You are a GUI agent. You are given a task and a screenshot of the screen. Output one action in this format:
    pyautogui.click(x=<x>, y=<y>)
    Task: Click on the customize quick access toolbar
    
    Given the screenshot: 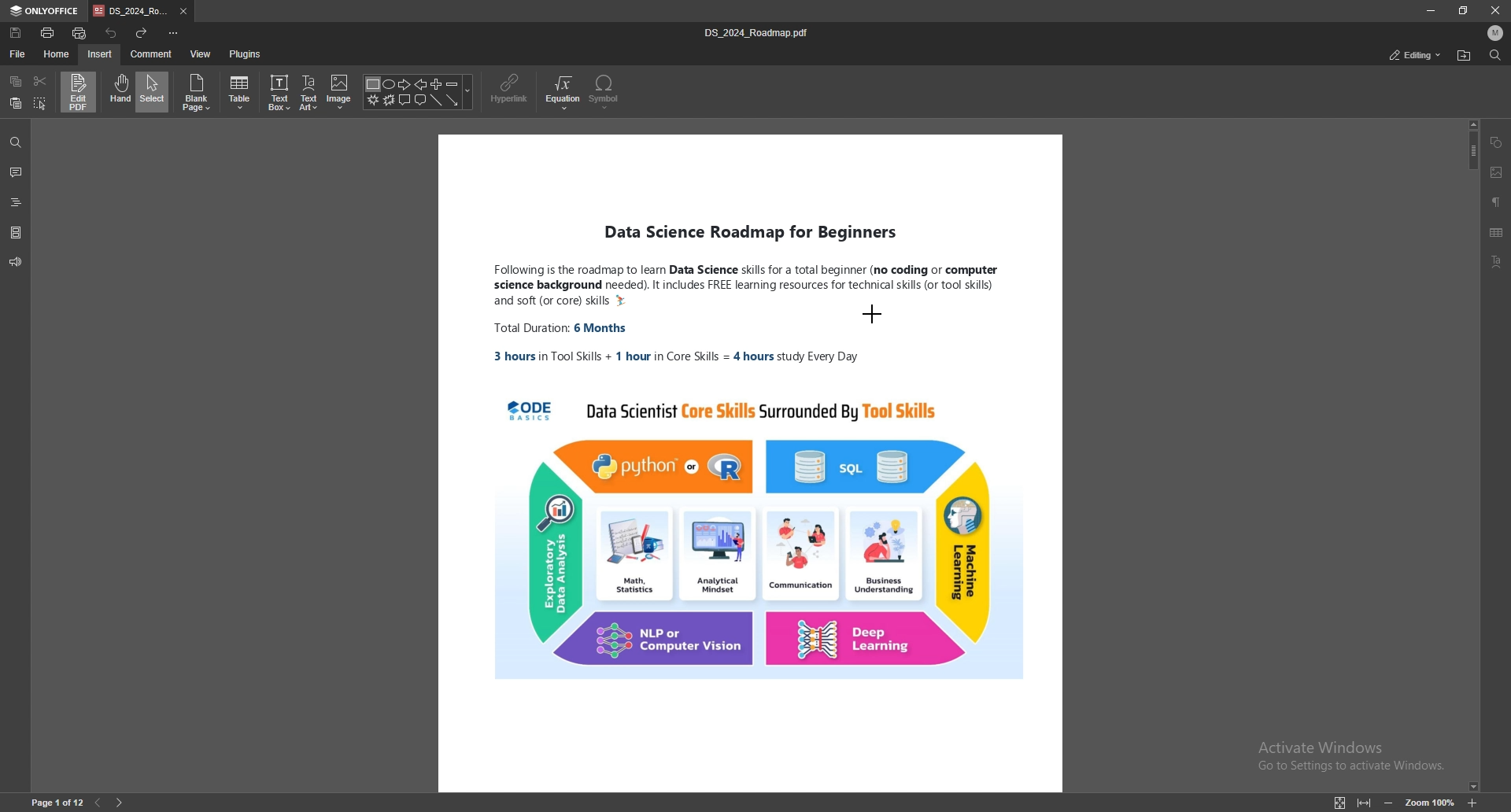 What is the action you would take?
    pyautogui.click(x=174, y=33)
    